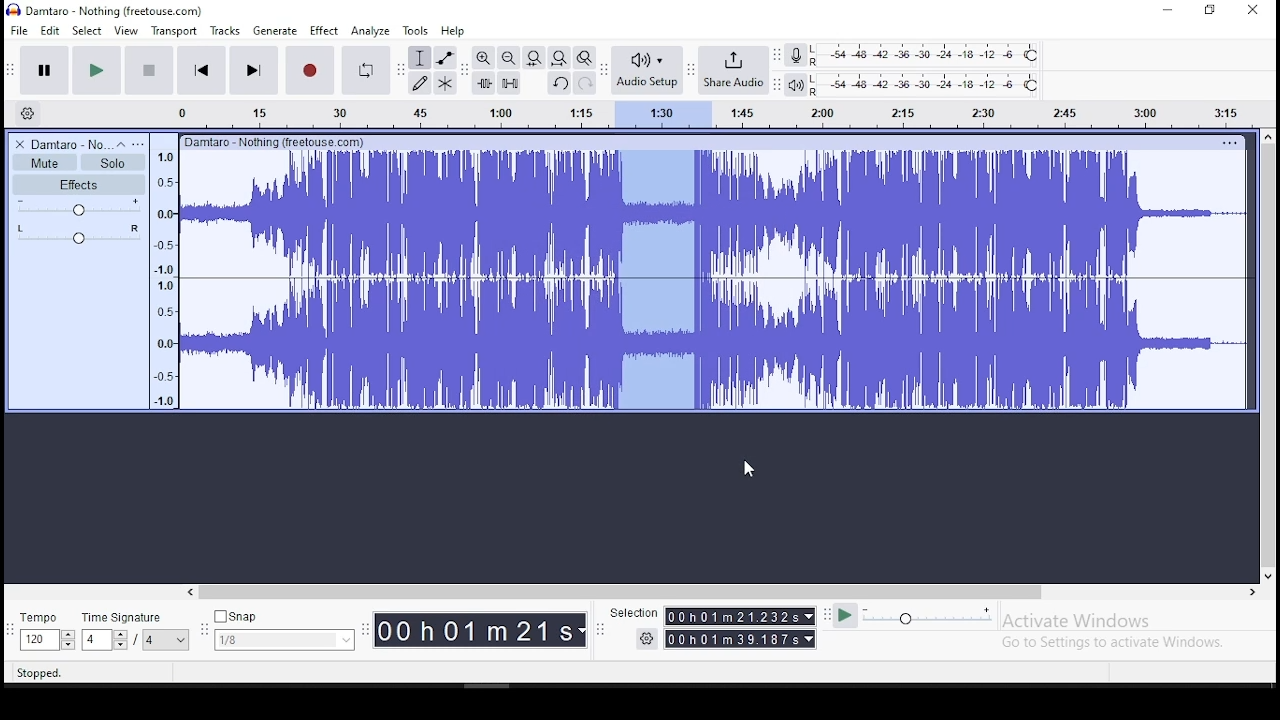  Describe the element at coordinates (79, 184) in the screenshot. I see `effects` at that location.